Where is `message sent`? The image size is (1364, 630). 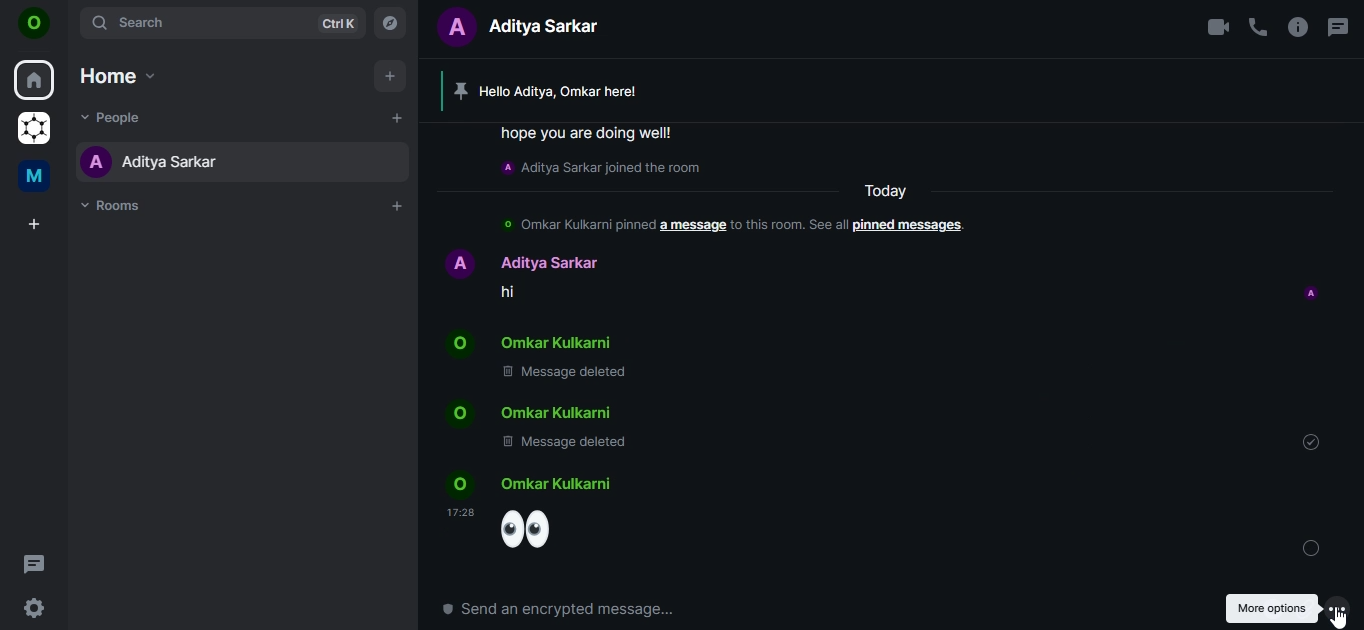
message sent is located at coordinates (1311, 441).